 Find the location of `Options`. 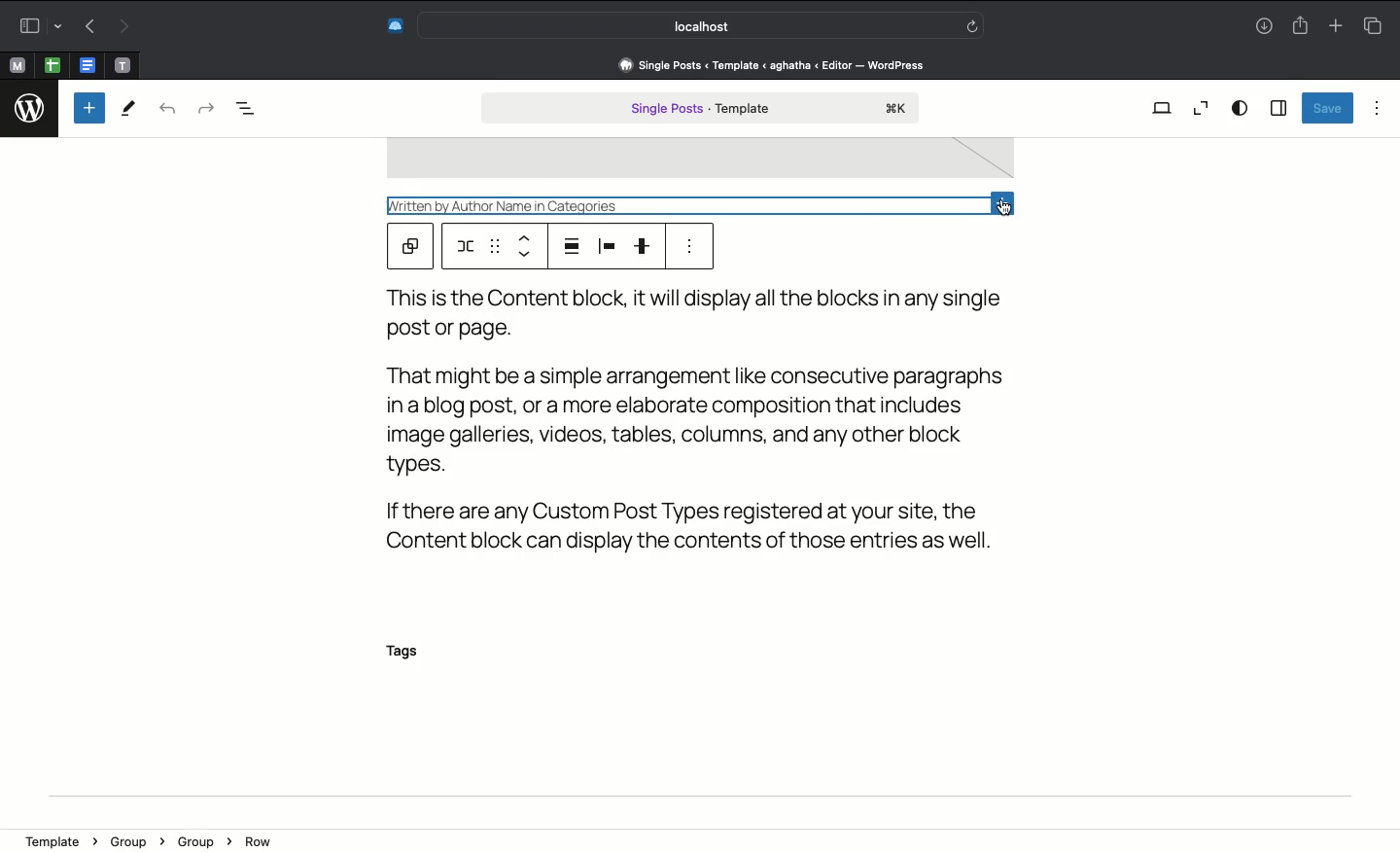

Options is located at coordinates (1377, 107).